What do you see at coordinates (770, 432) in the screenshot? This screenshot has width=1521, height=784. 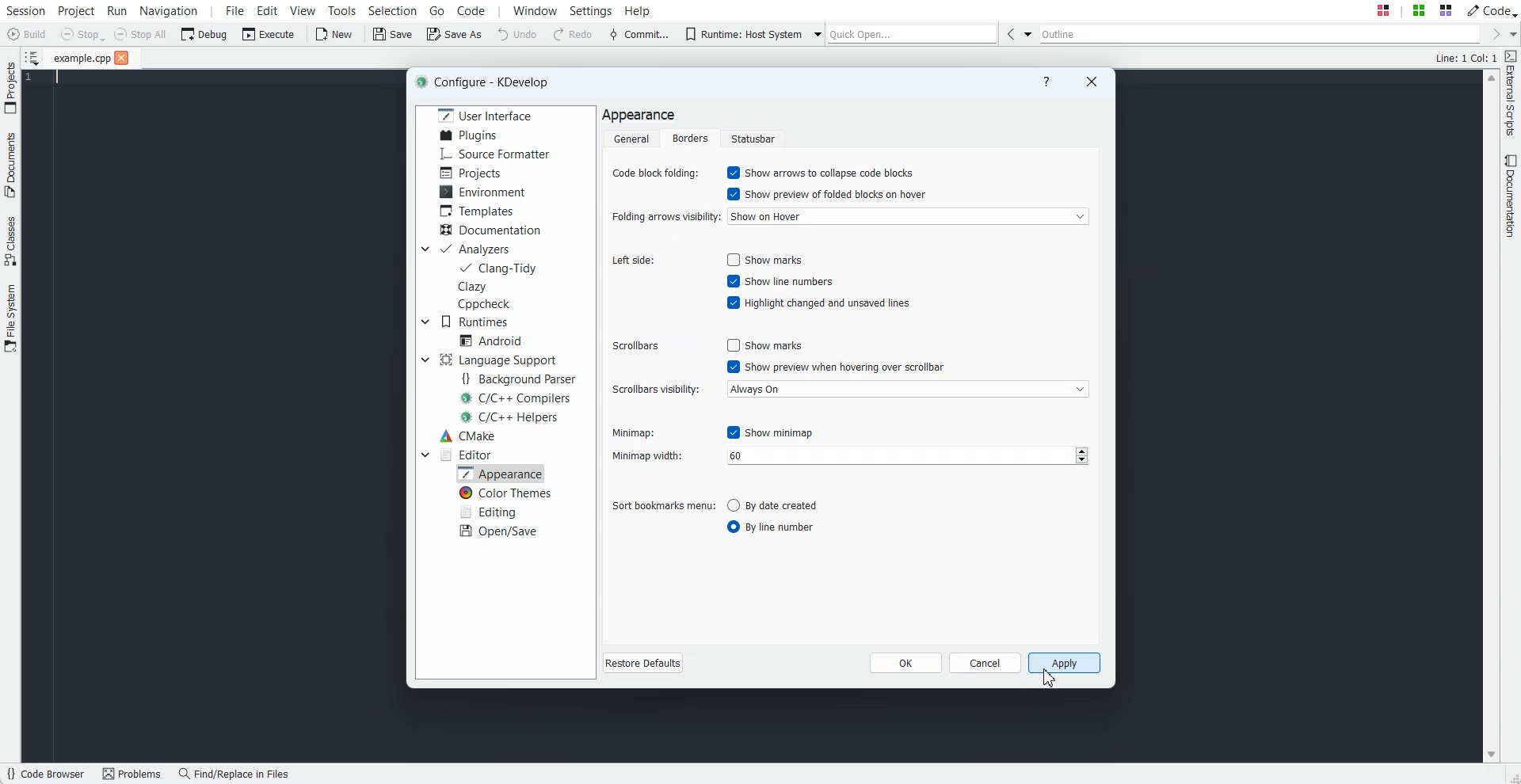 I see `Disable show minimap` at bounding box center [770, 432].